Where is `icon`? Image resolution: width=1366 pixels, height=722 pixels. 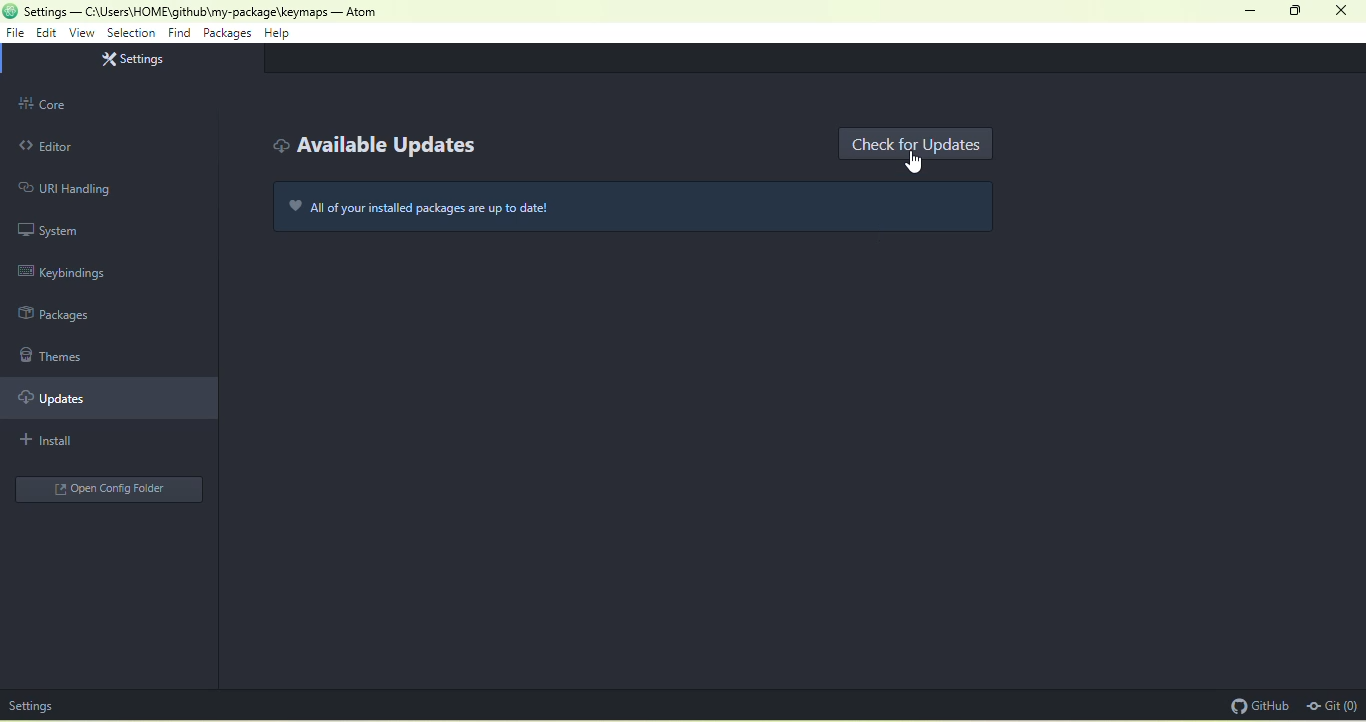 icon is located at coordinates (10, 10).